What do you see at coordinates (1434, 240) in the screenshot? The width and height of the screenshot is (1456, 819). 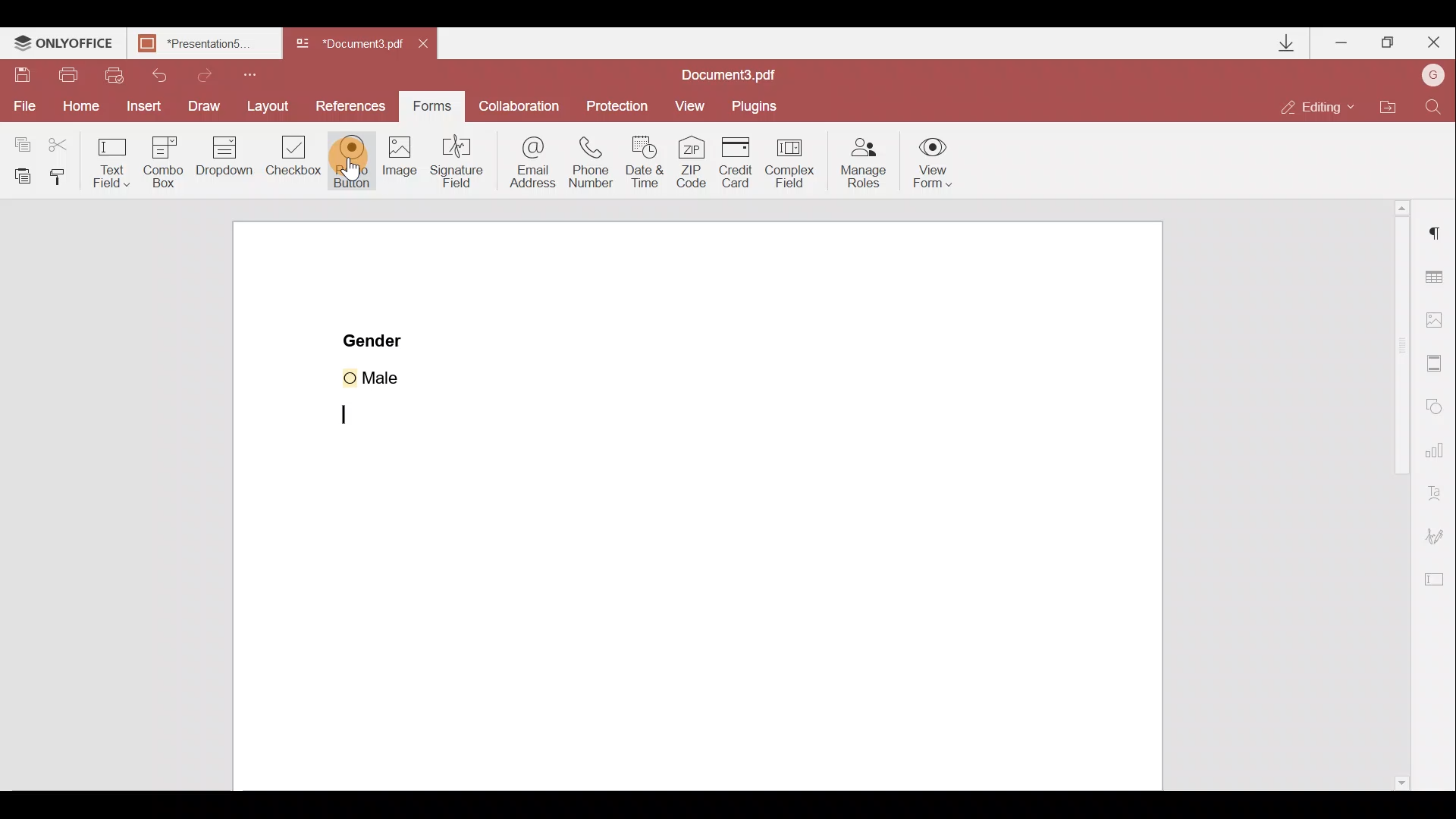 I see `Paragraph settings` at bounding box center [1434, 240].